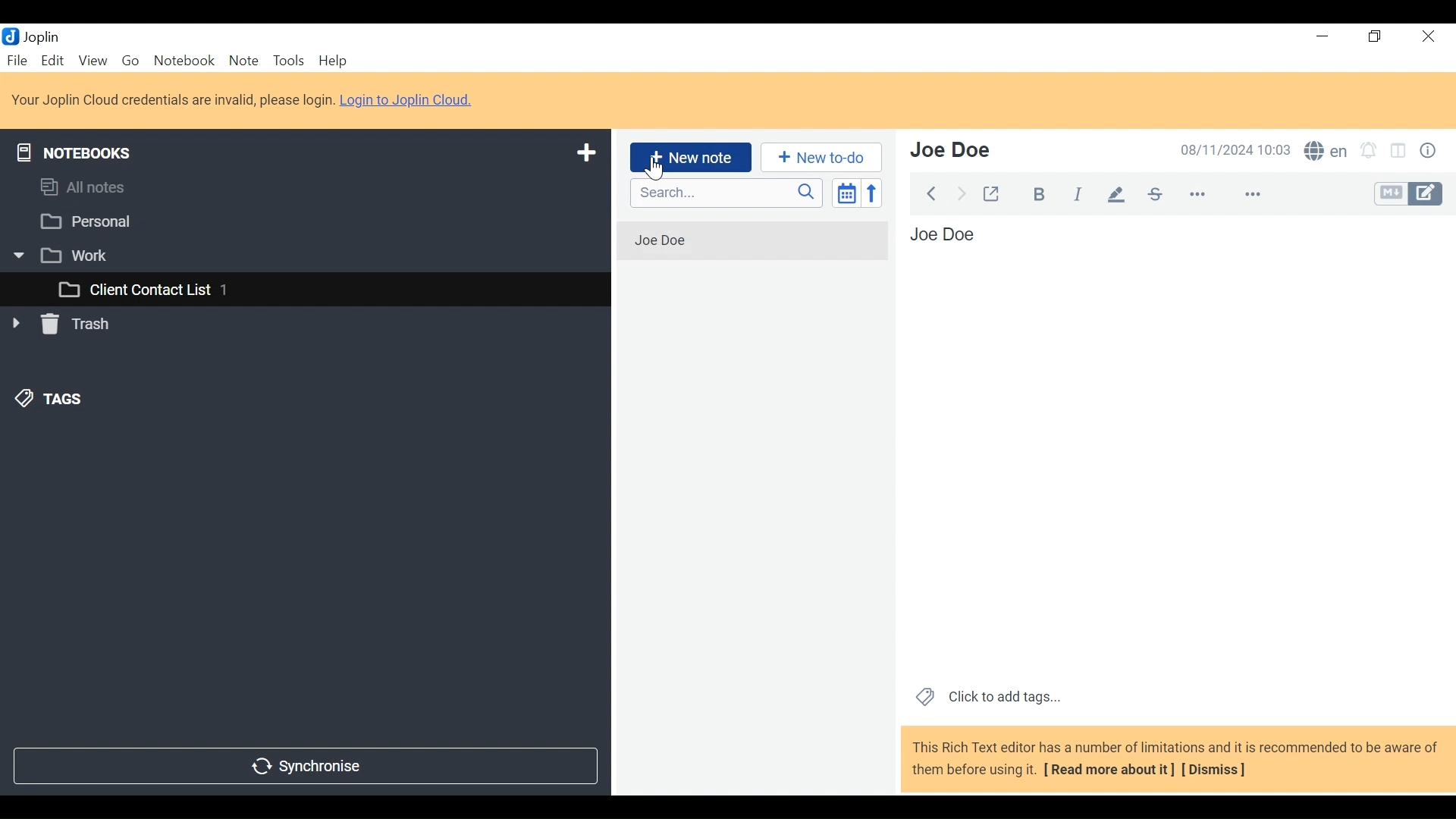 This screenshot has width=1456, height=819. Describe the element at coordinates (1431, 36) in the screenshot. I see `Close` at that location.